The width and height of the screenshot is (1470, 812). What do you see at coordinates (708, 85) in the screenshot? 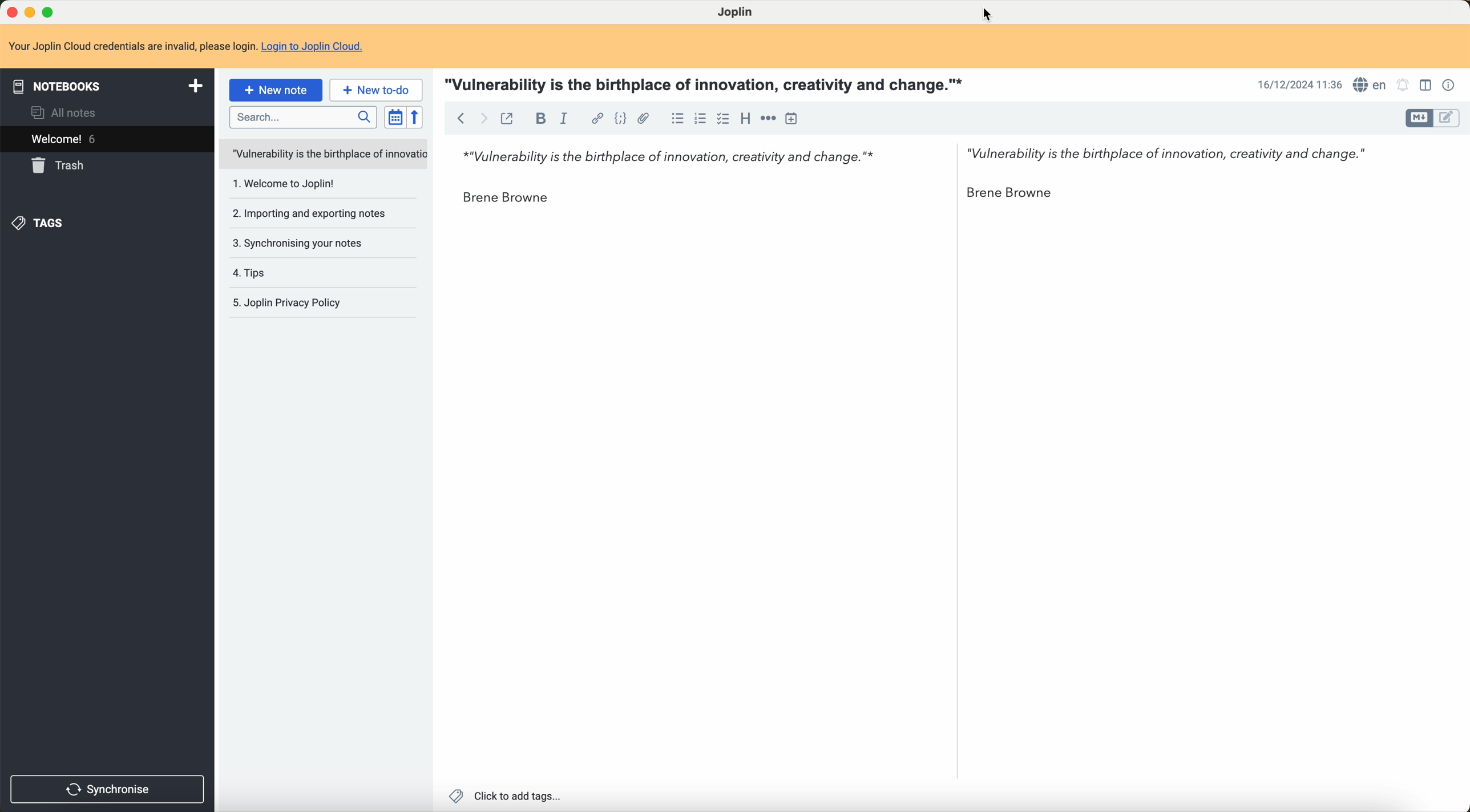
I see `title` at bounding box center [708, 85].